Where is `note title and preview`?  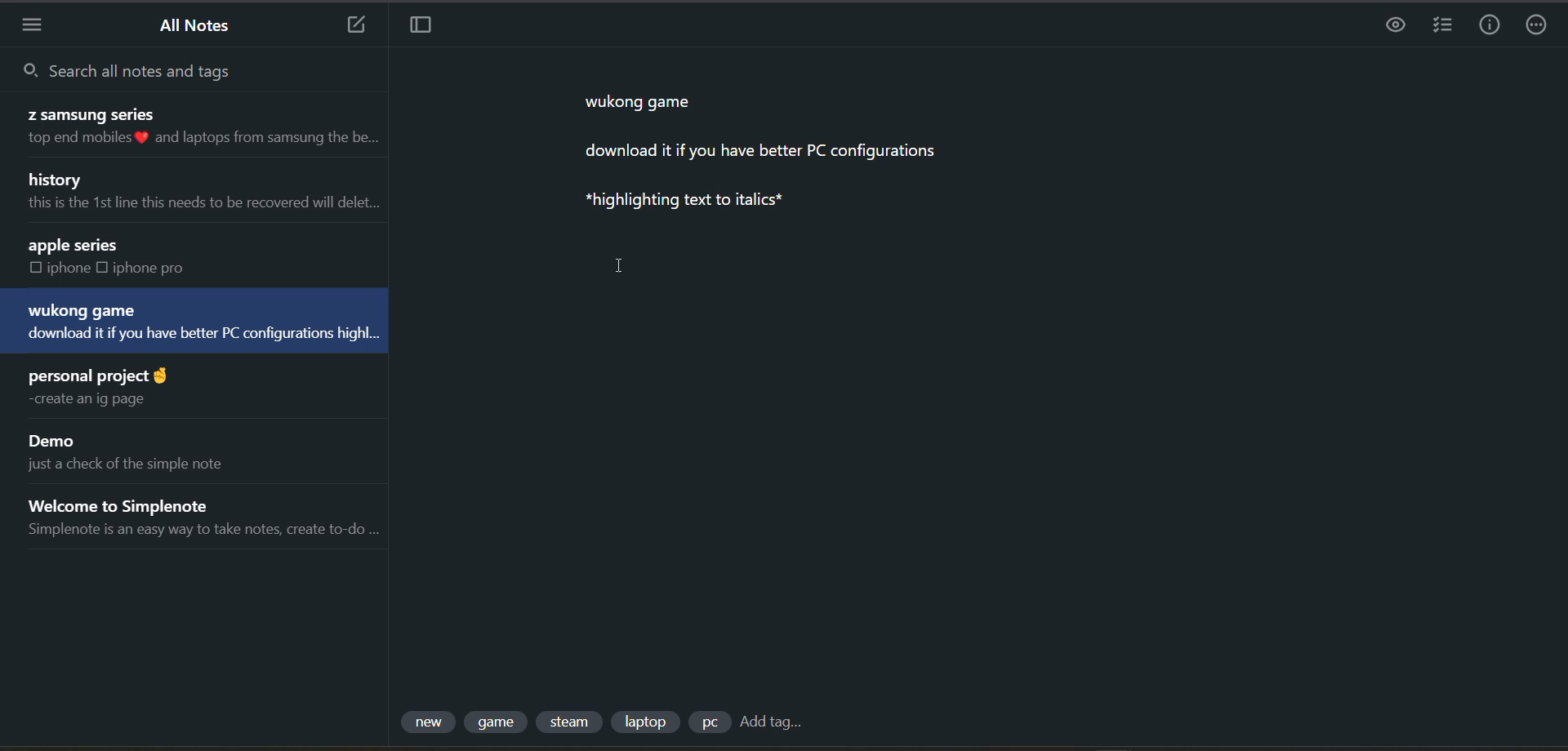
note title and preview is located at coordinates (198, 187).